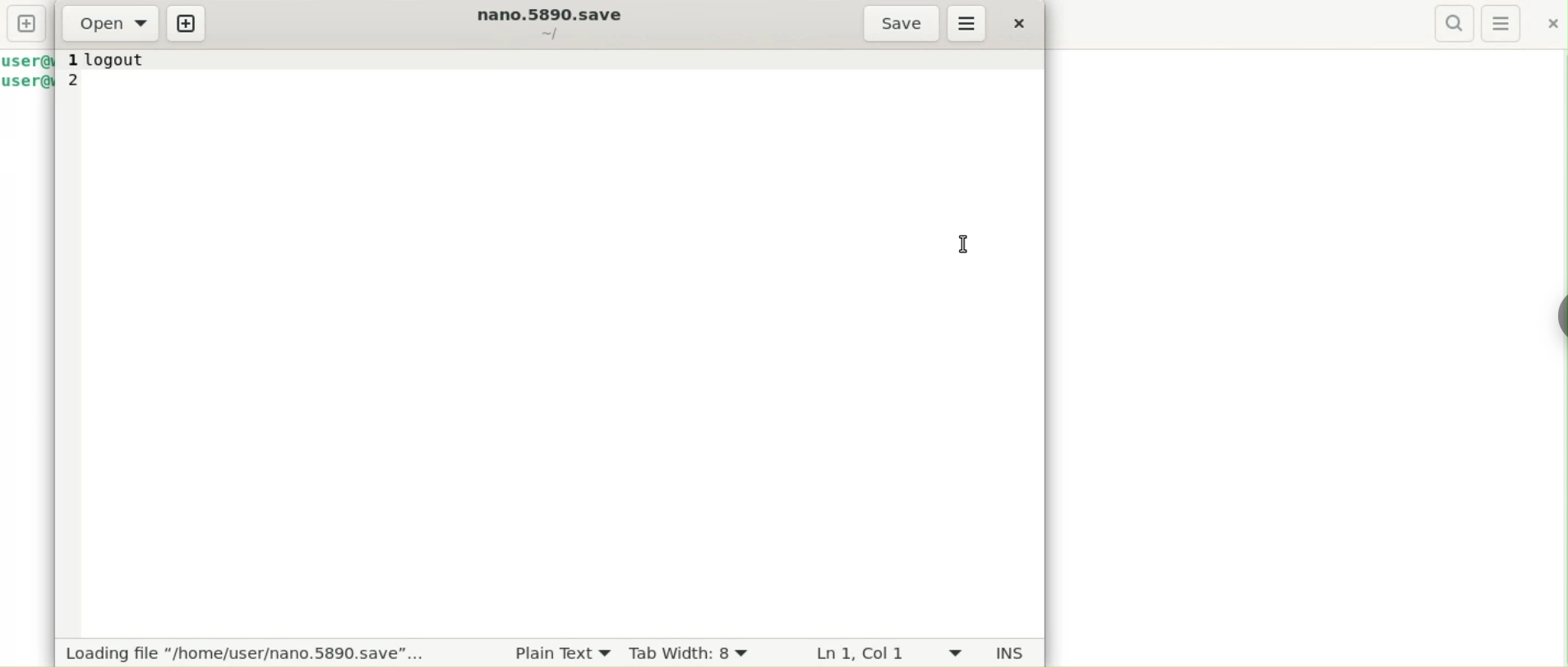  Describe the element at coordinates (27, 23) in the screenshot. I see `new tab` at that location.